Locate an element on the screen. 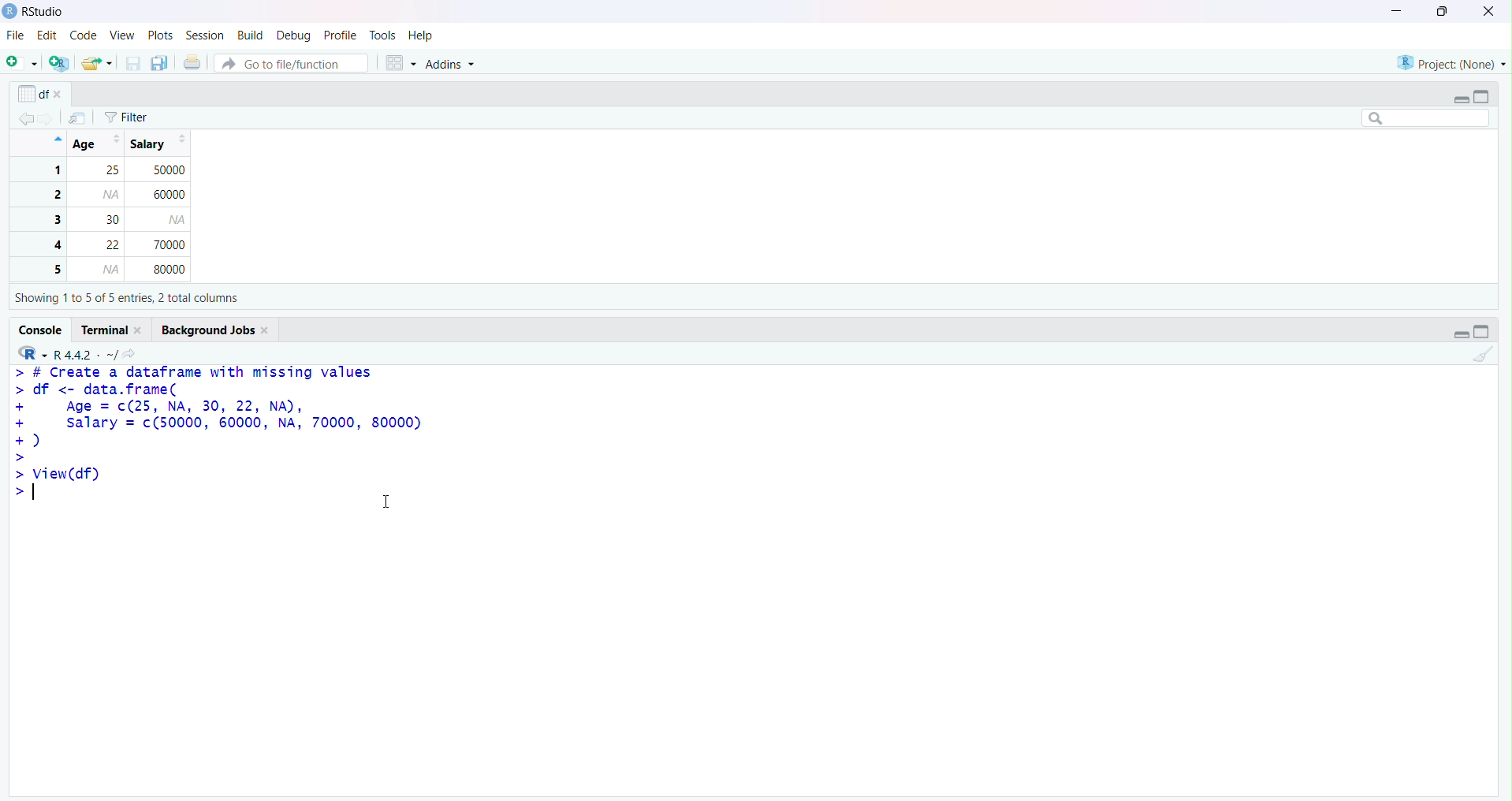  R.4.4.2 ~/ is located at coordinates (84, 351).